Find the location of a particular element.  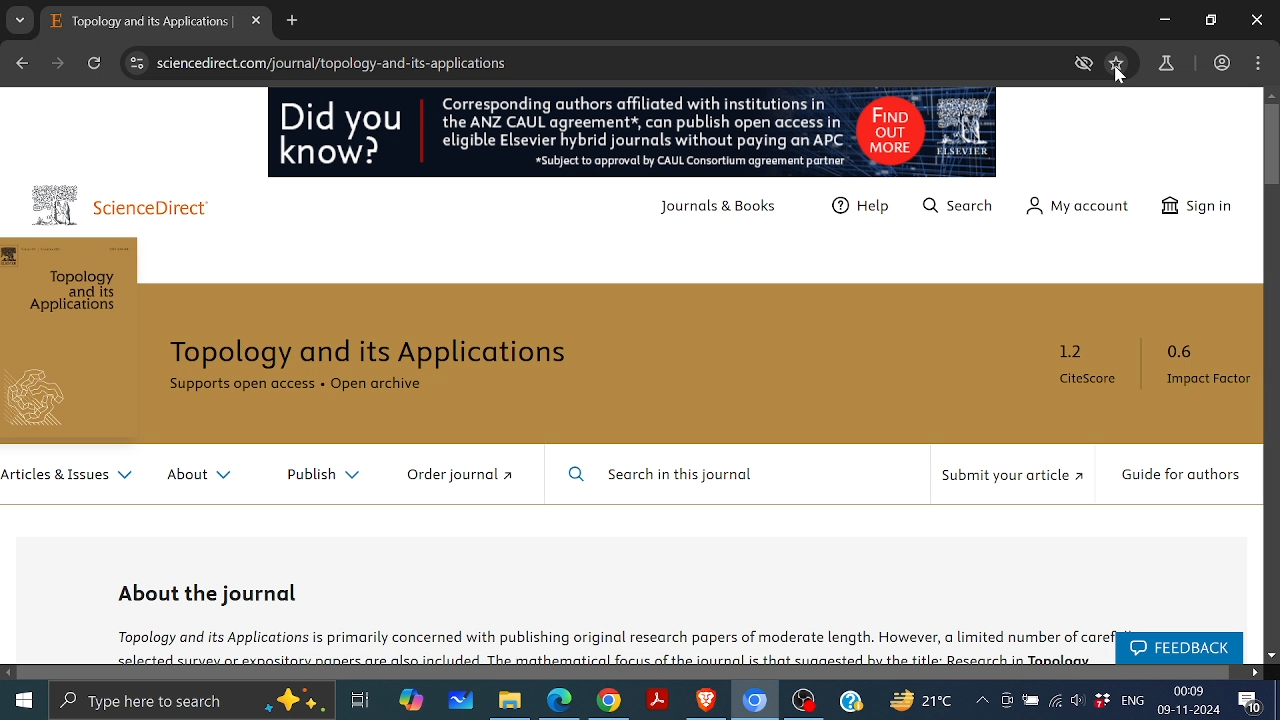

OBS Studio is located at coordinates (806, 702).